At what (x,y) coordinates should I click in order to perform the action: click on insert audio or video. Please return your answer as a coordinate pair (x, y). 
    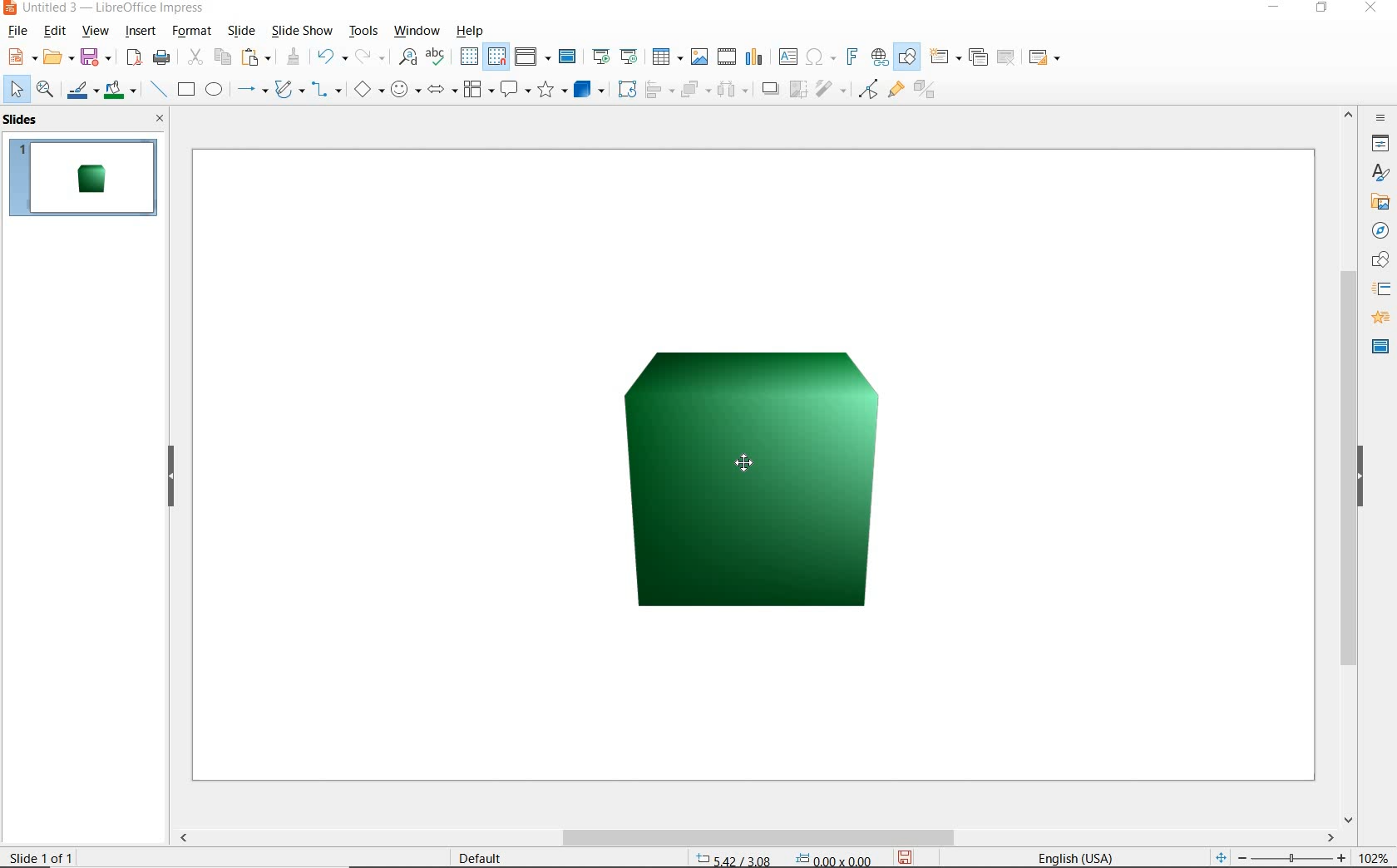
    Looking at the image, I should click on (726, 55).